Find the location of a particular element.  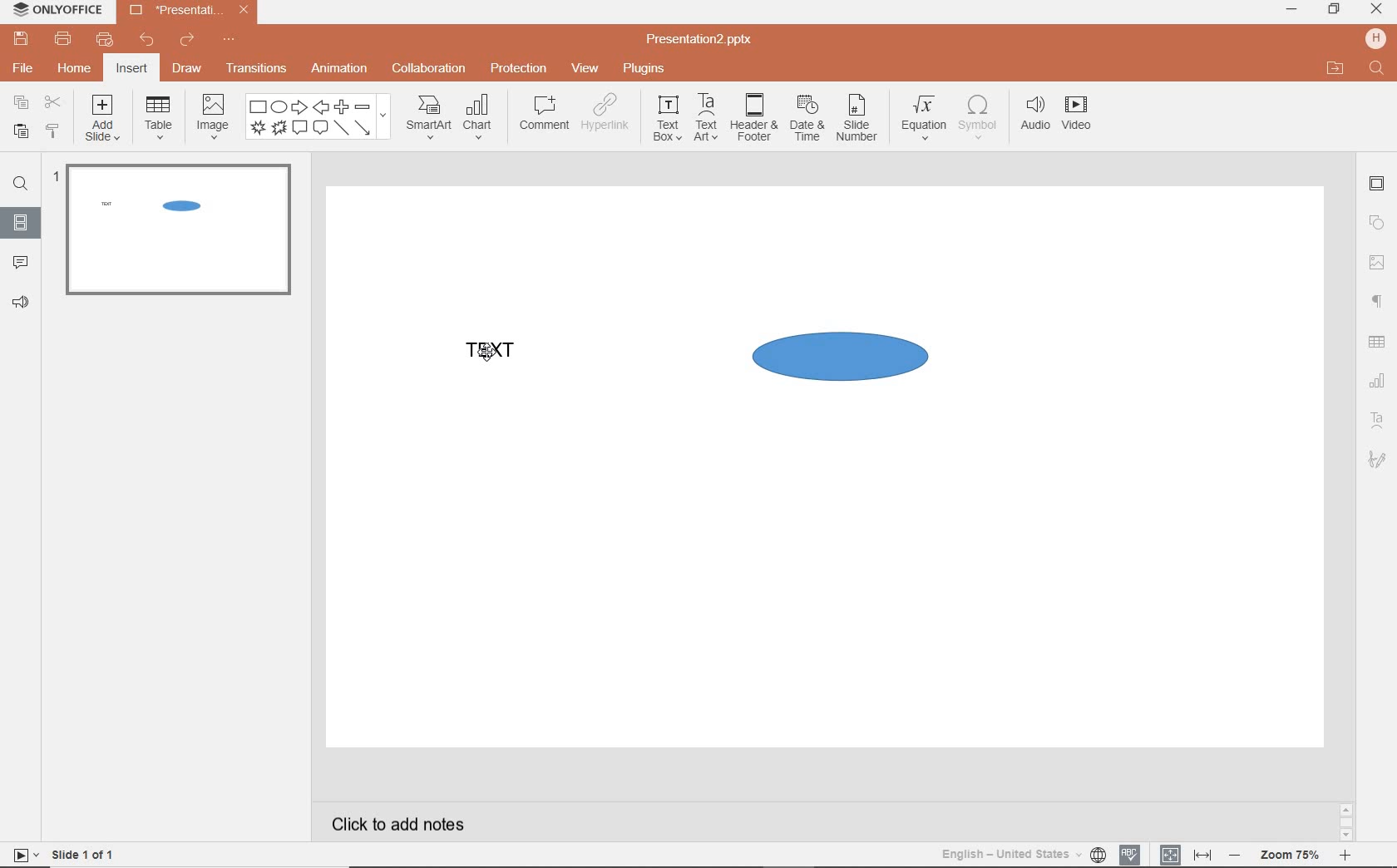

home is located at coordinates (76, 69).